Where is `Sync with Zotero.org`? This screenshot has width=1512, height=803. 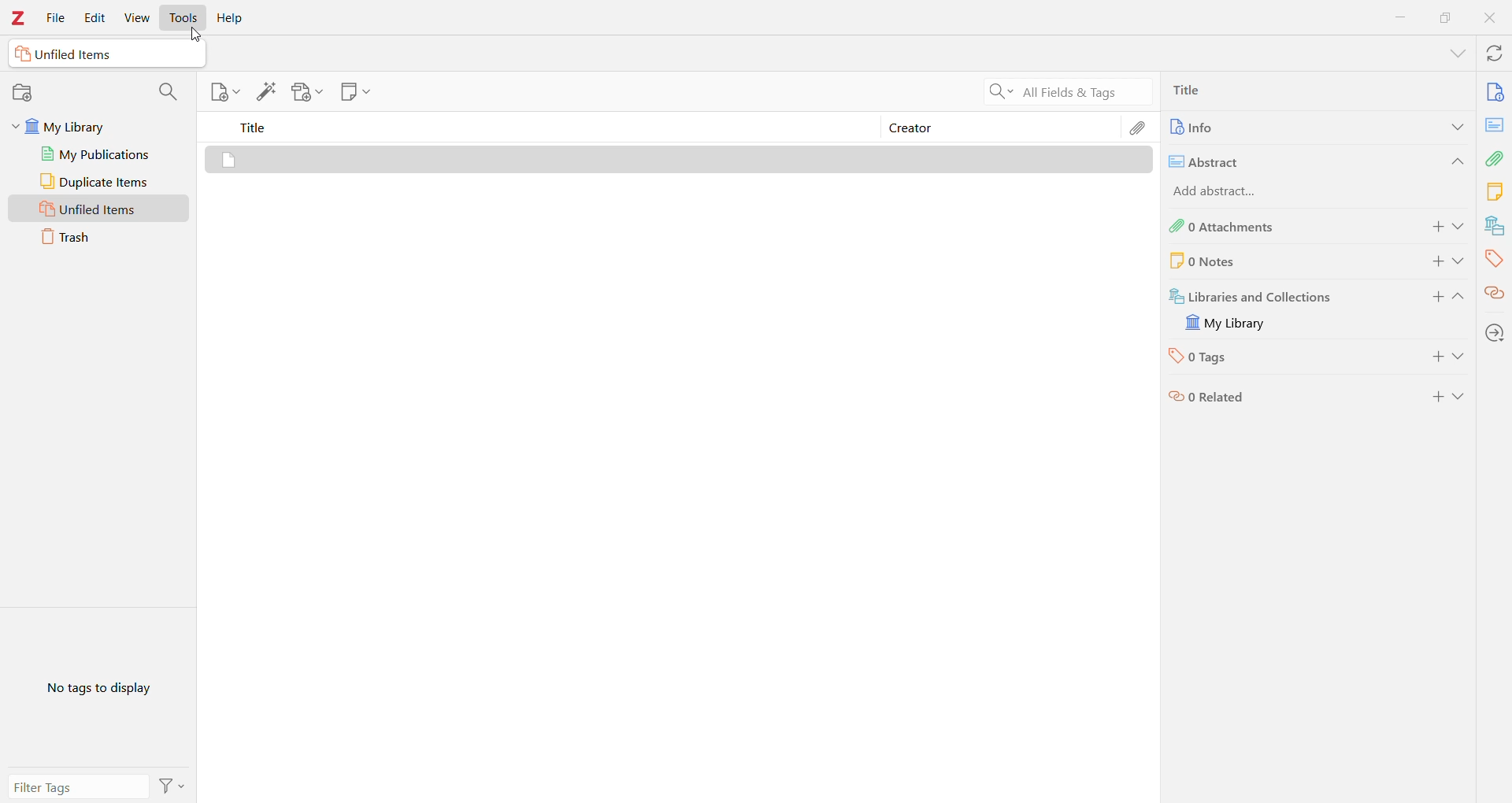
Sync with Zotero.org is located at coordinates (1494, 54).